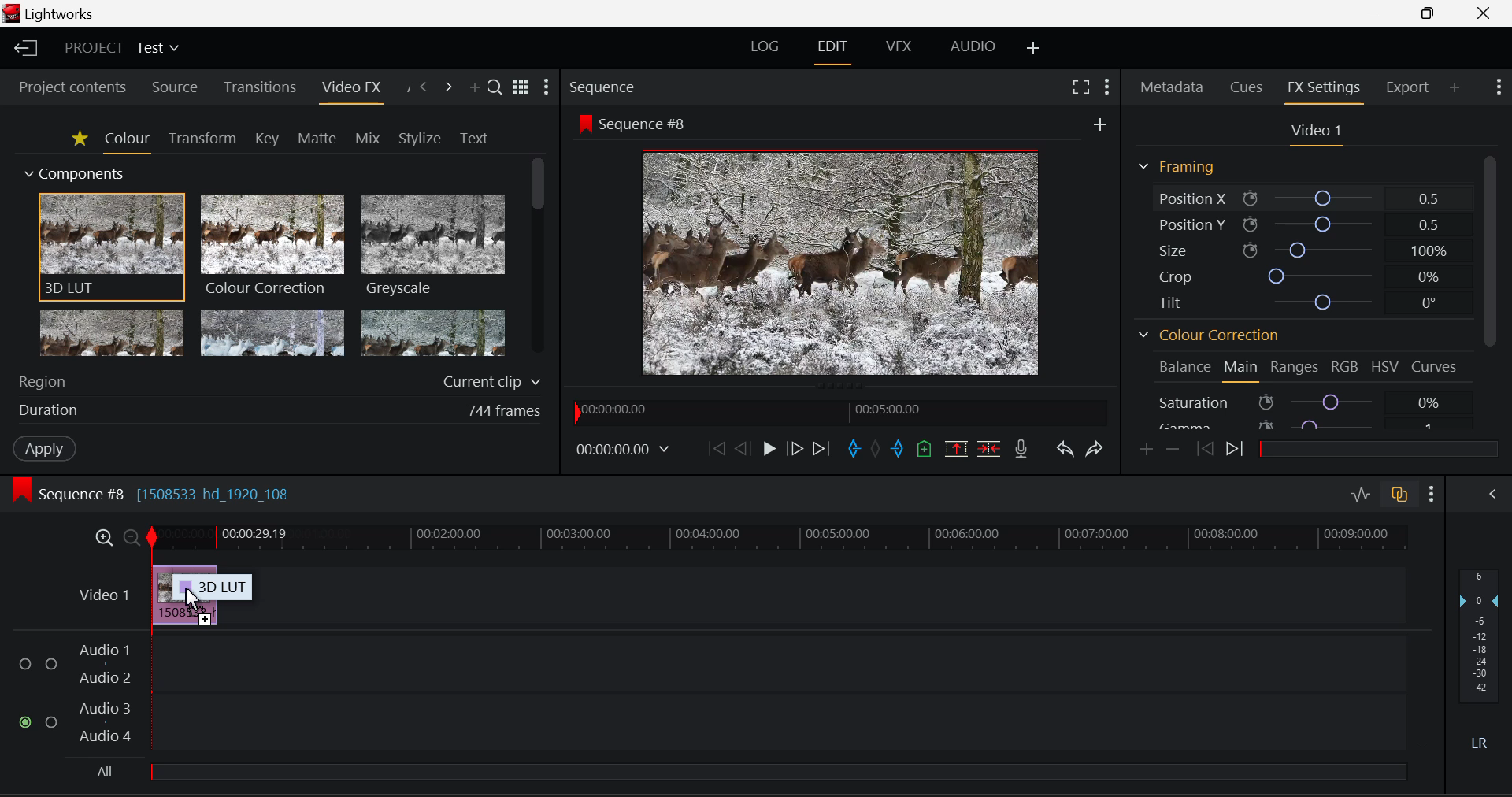 The width and height of the screenshot is (1512, 797). I want to click on Mosaic, so click(273, 334).